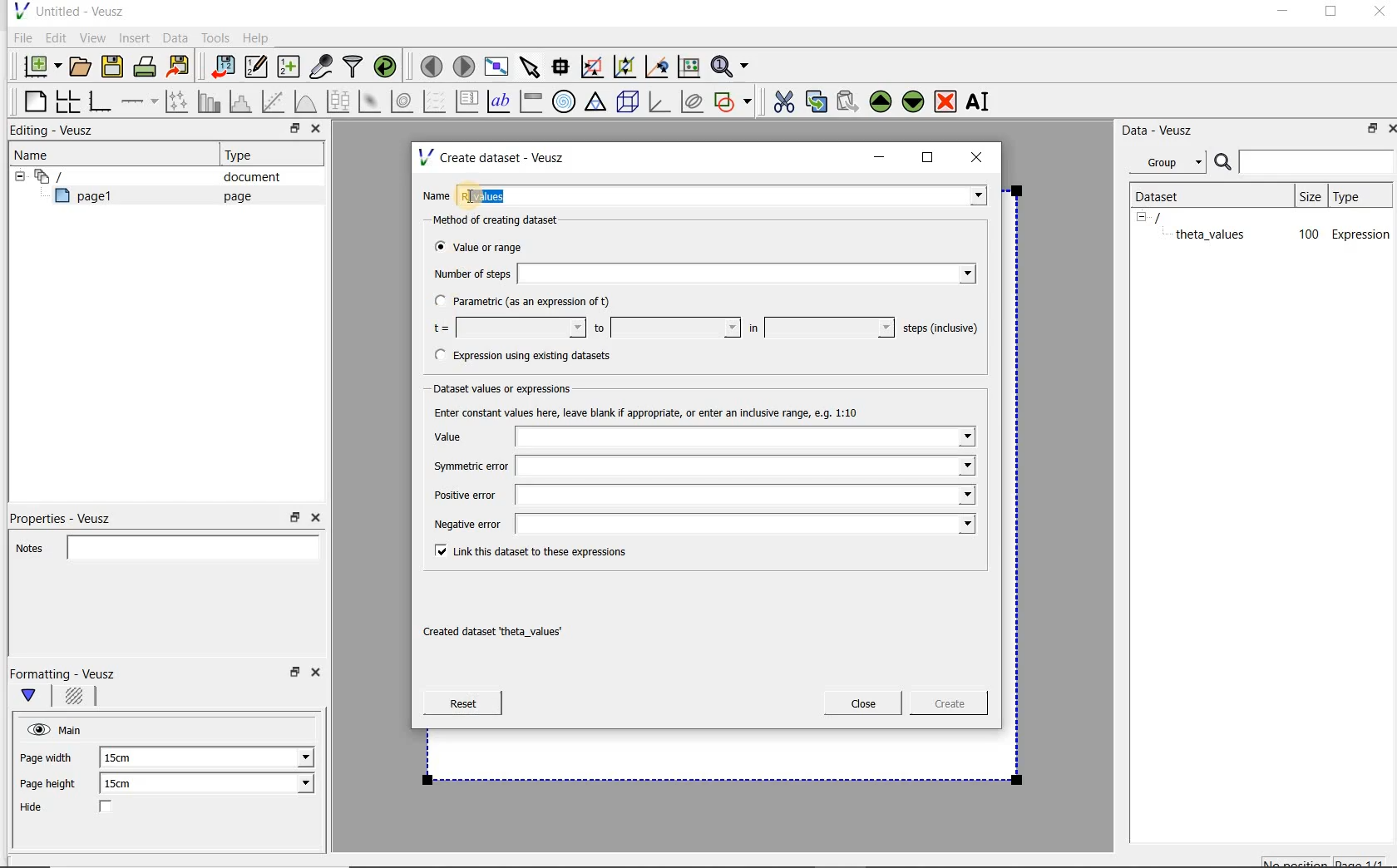 The height and width of the screenshot is (868, 1397). I want to click on plot a vector field, so click(435, 100).